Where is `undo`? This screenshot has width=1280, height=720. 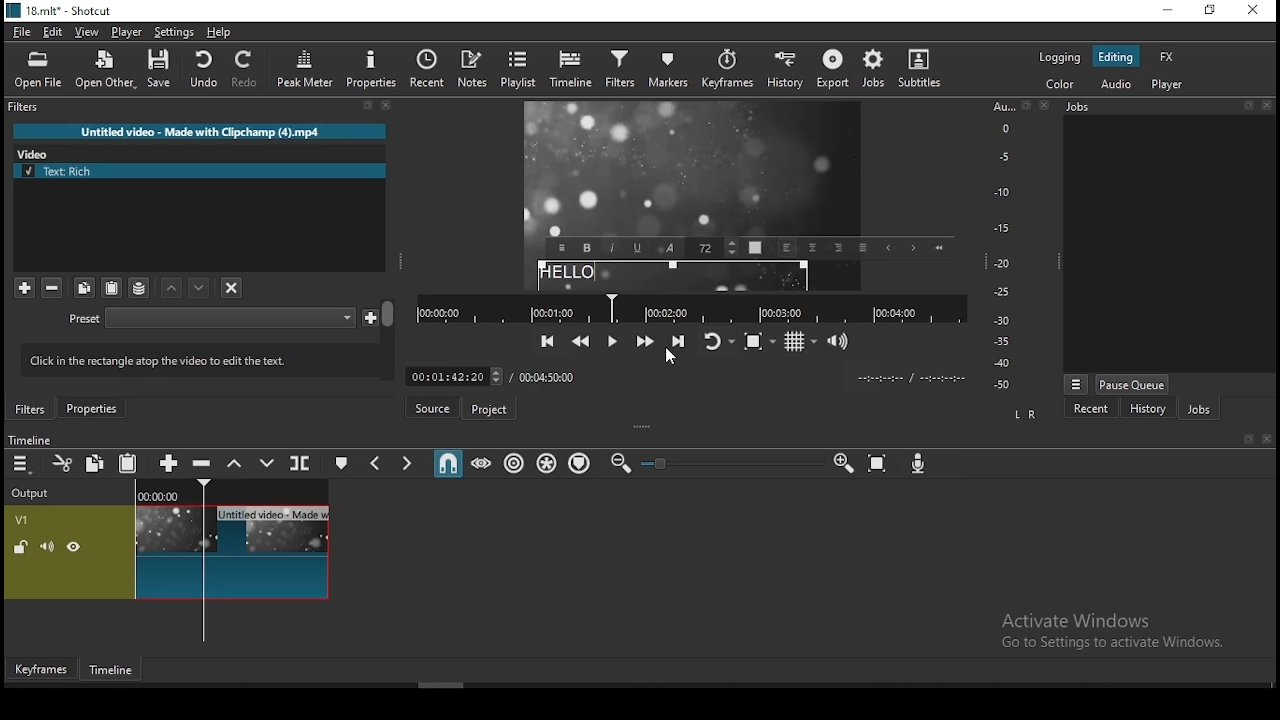
undo is located at coordinates (203, 69).